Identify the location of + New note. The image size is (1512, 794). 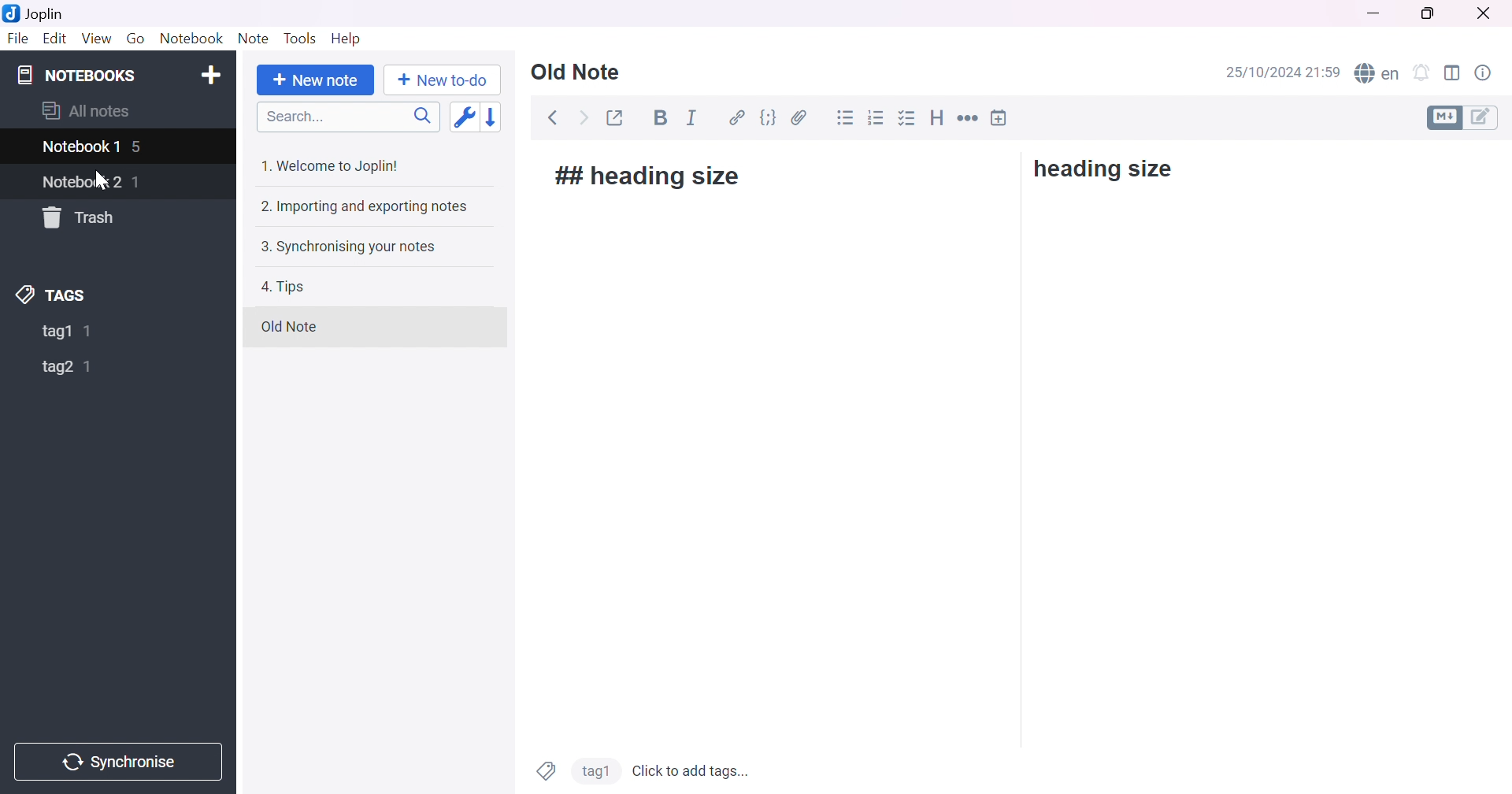
(315, 81).